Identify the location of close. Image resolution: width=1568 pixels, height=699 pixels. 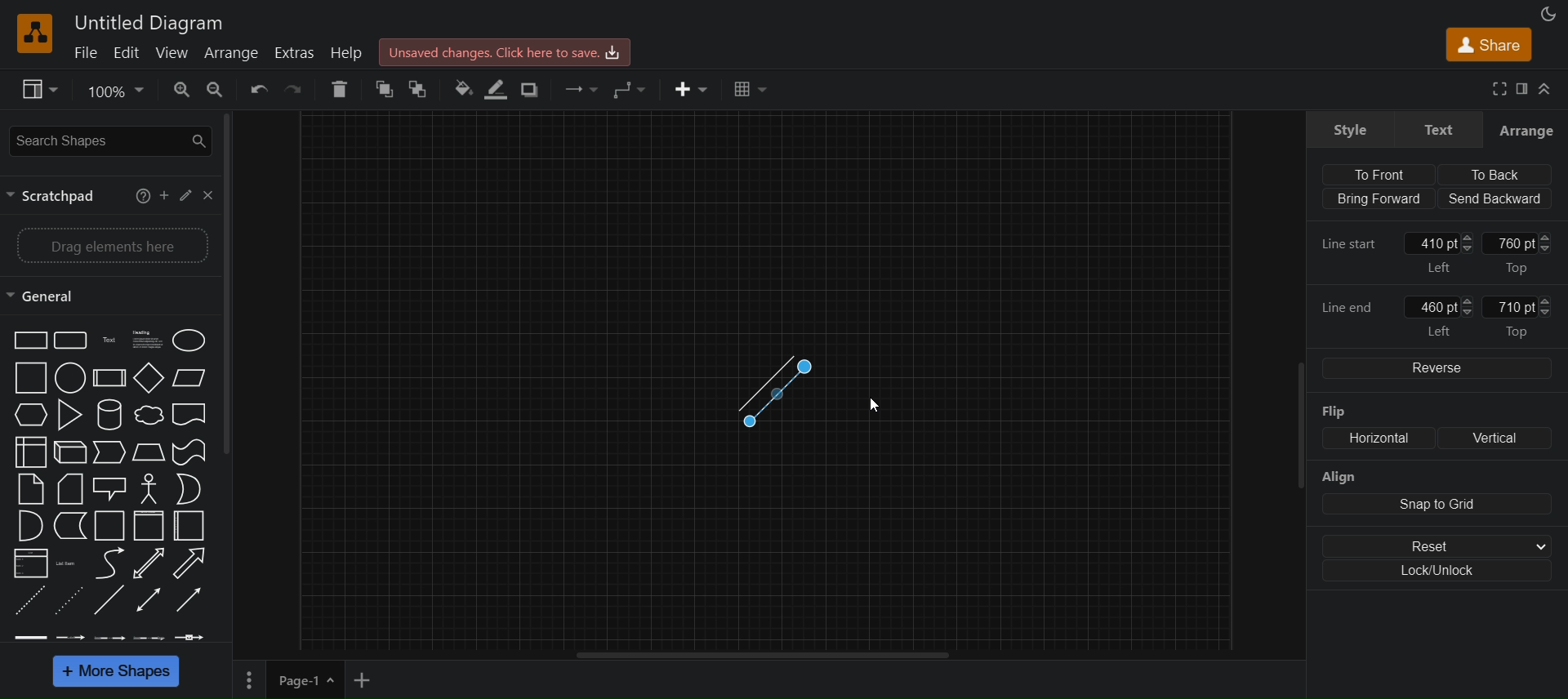
(207, 195).